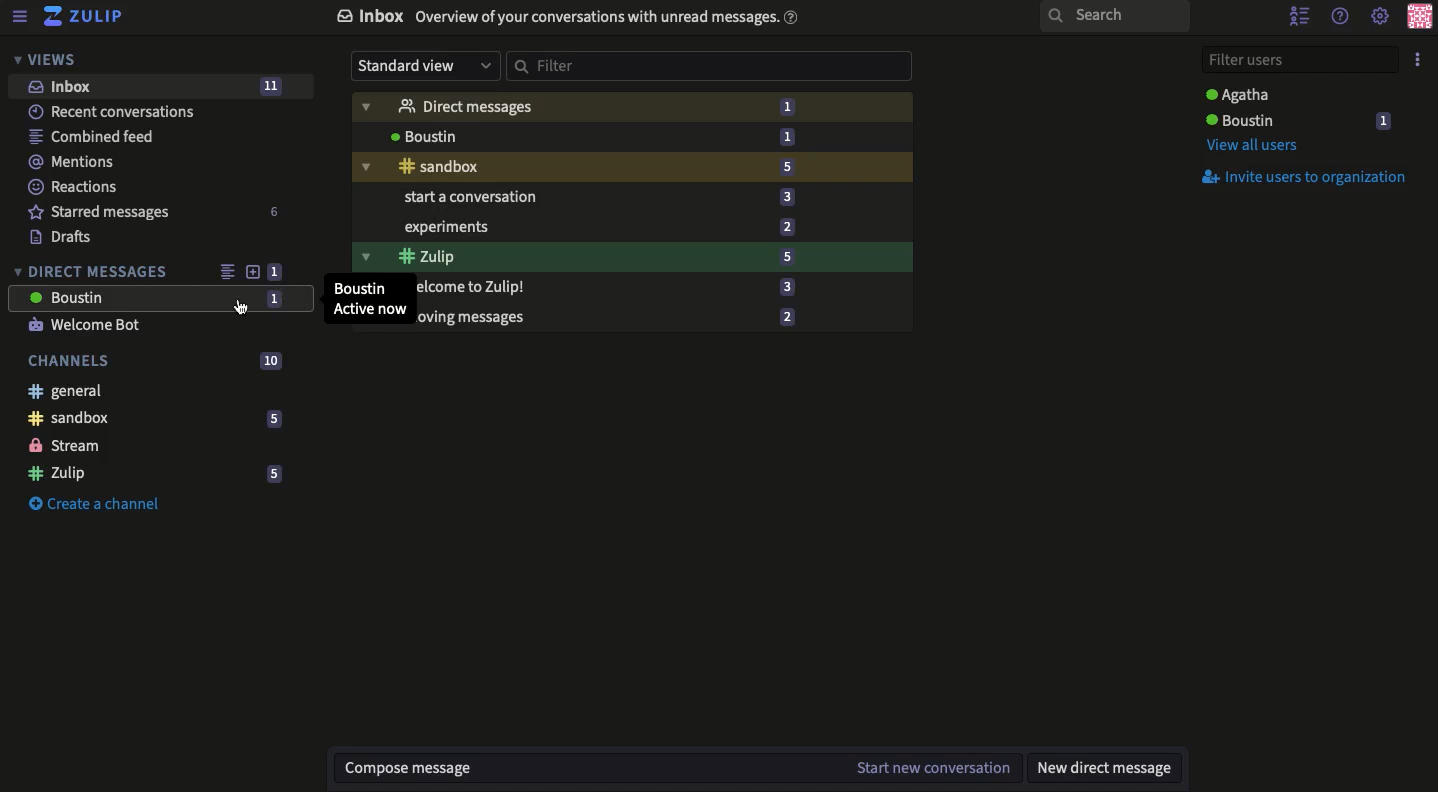  I want to click on Options, so click(1420, 60).